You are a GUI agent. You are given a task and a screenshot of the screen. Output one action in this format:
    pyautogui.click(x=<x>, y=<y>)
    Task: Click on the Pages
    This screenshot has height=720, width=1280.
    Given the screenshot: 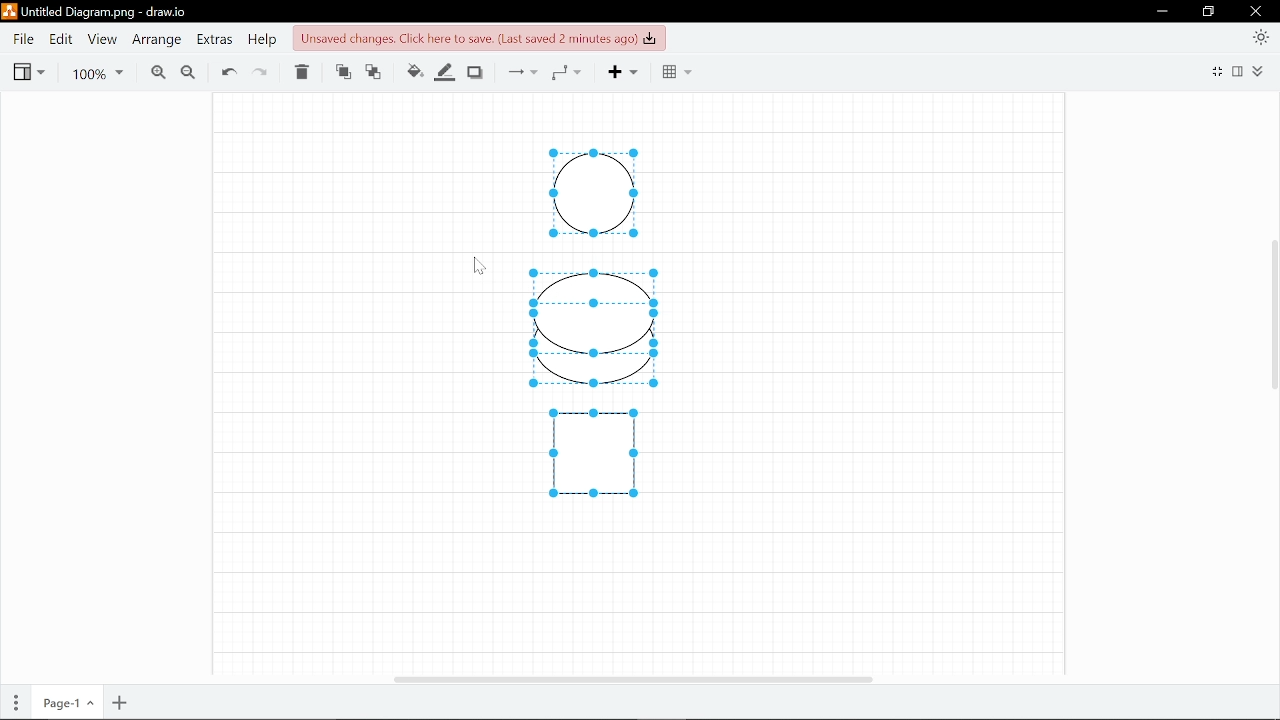 What is the action you would take?
    pyautogui.click(x=14, y=704)
    